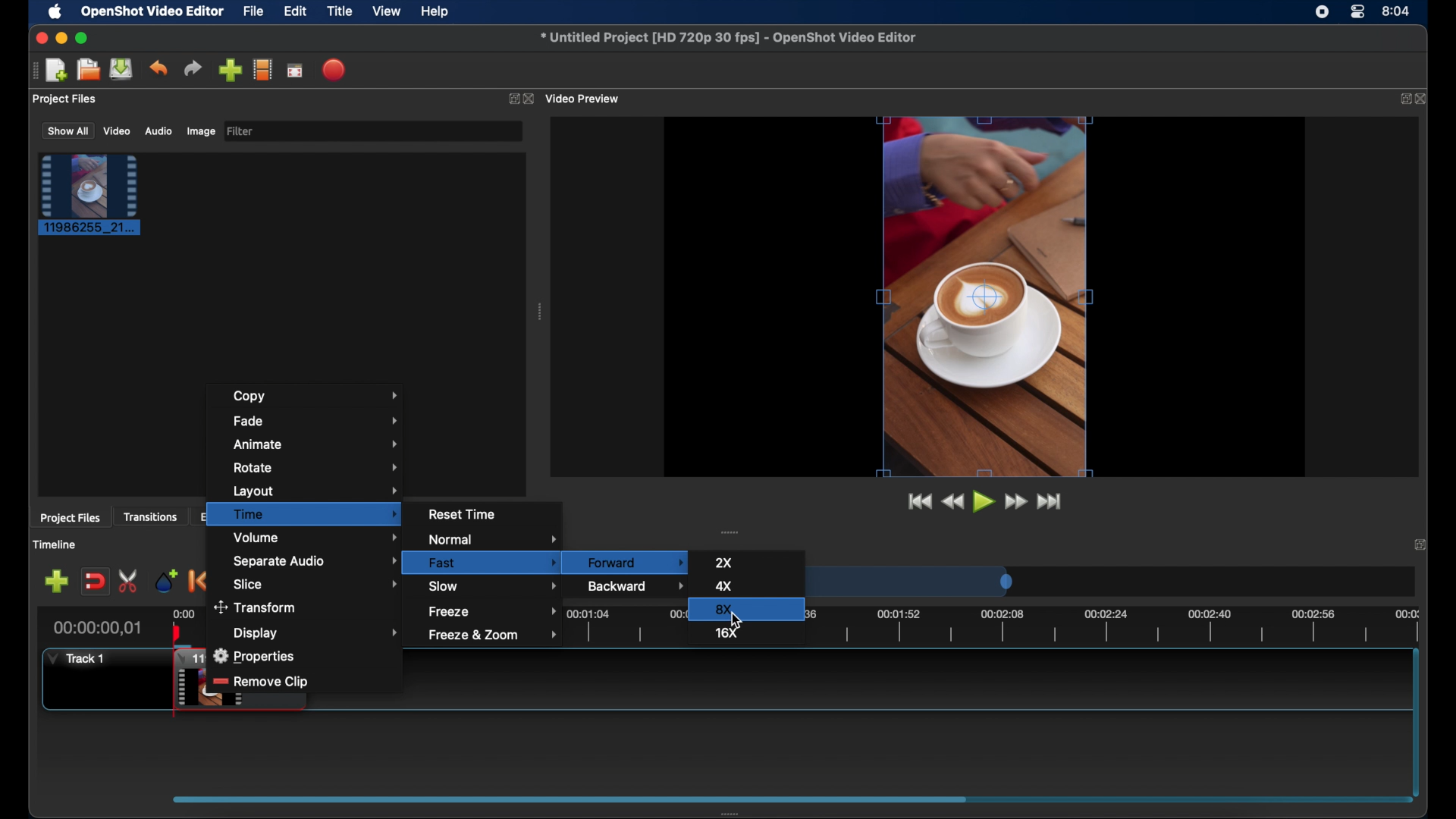  What do you see at coordinates (496, 540) in the screenshot?
I see `normal menu` at bounding box center [496, 540].